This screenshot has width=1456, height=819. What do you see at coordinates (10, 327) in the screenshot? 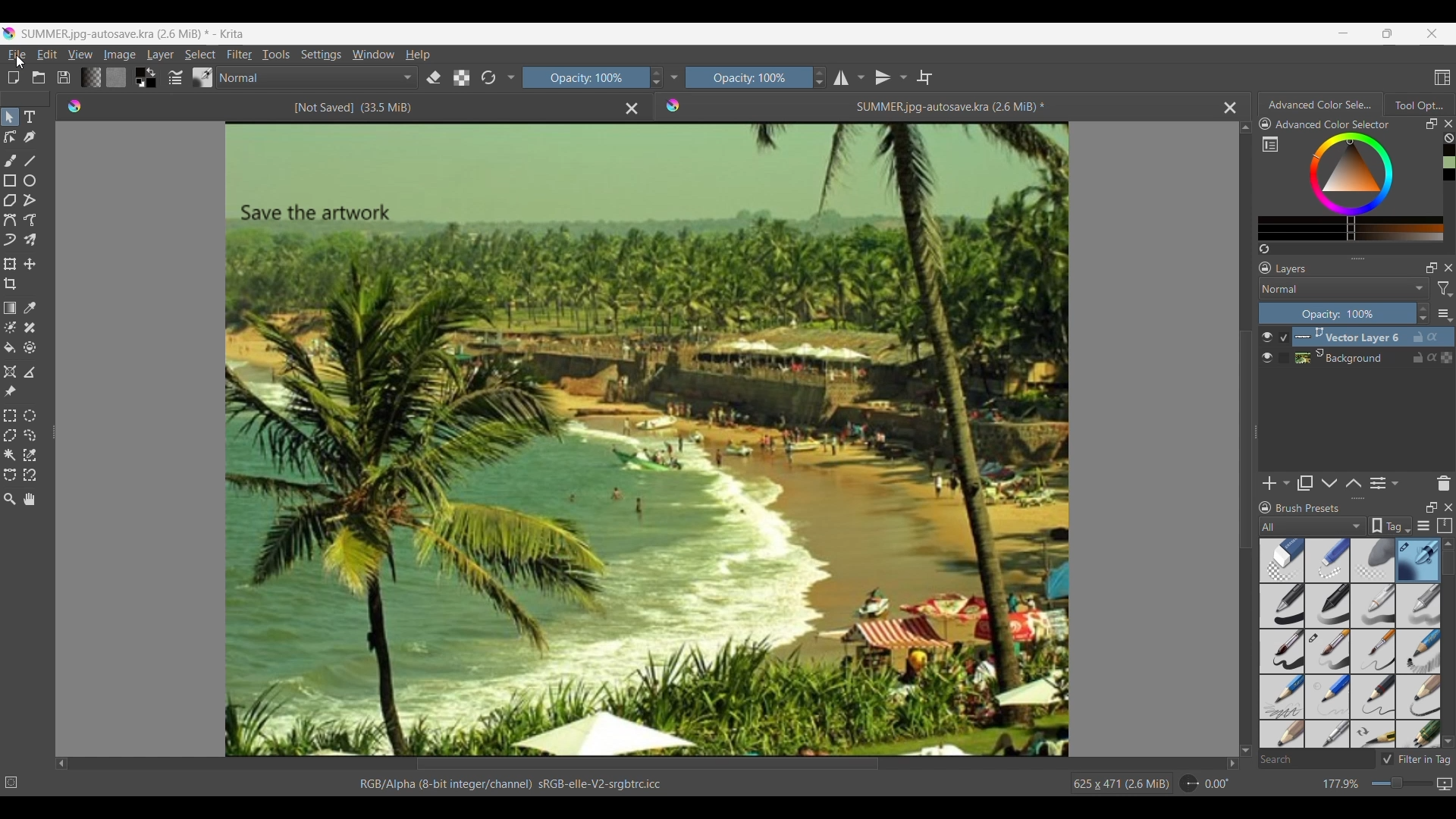
I see `Colorize mask tool` at bounding box center [10, 327].